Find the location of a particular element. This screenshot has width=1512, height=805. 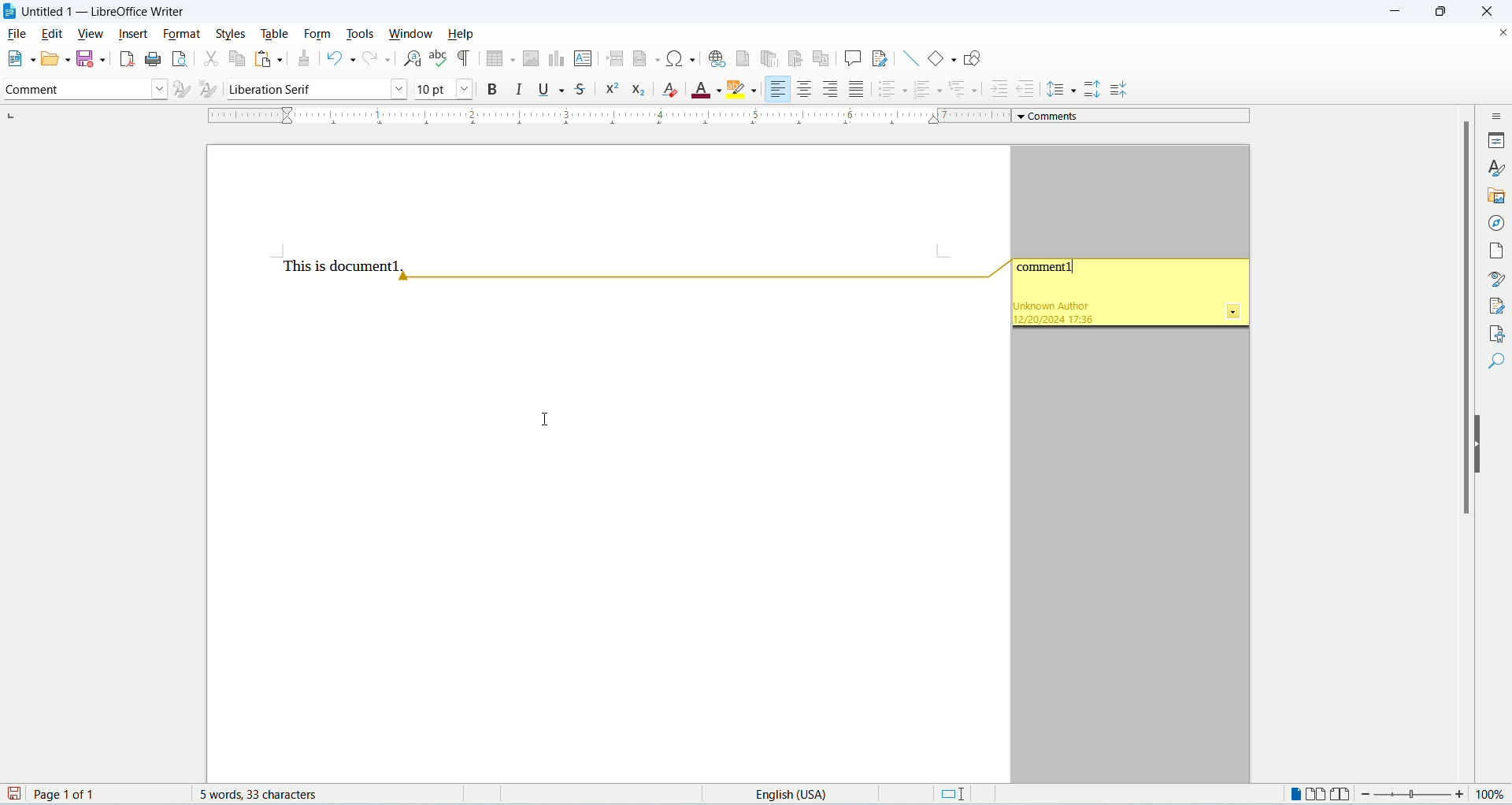

Comments  is located at coordinates (1136, 115).